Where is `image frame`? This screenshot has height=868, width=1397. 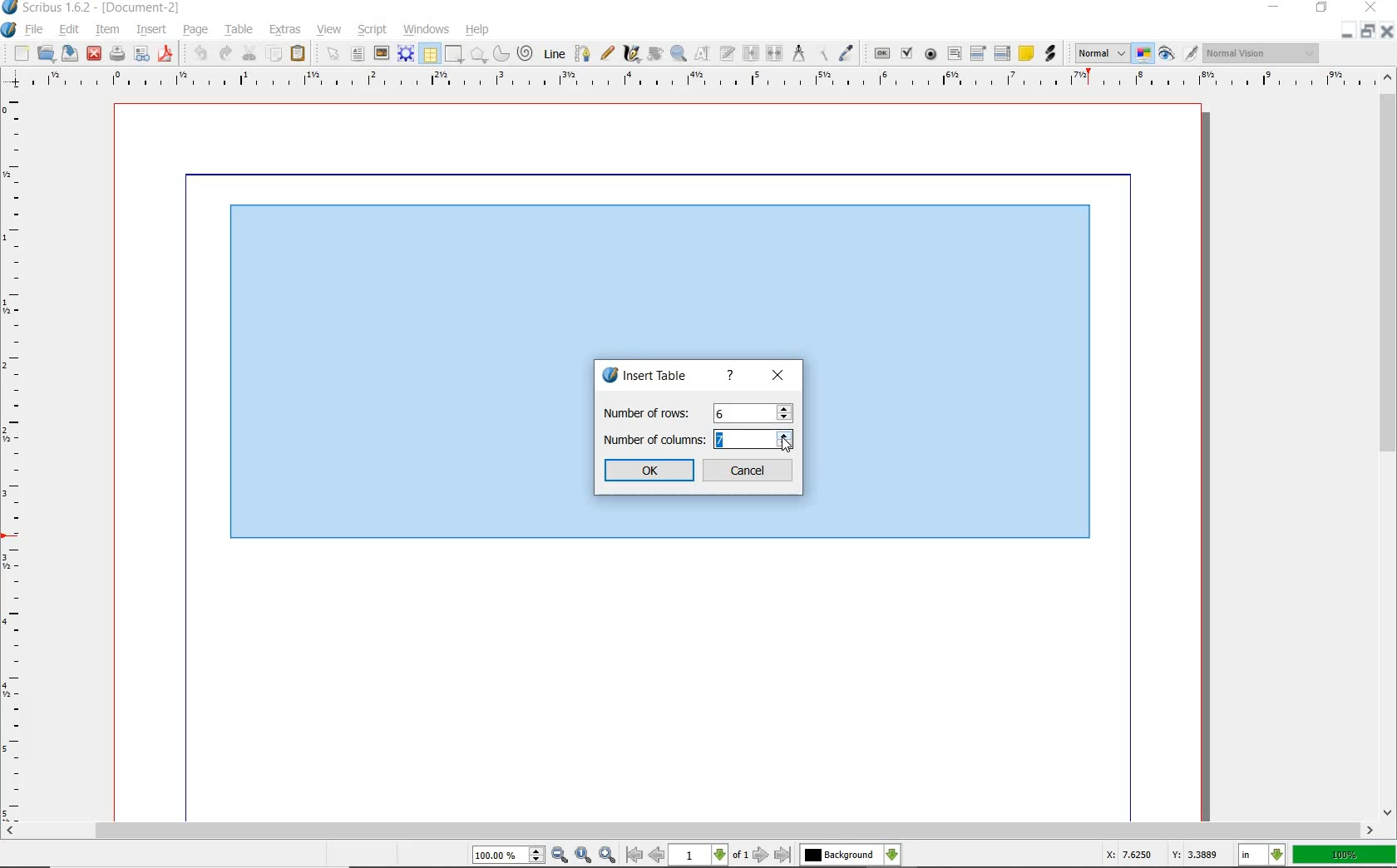 image frame is located at coordinates (380, 54).